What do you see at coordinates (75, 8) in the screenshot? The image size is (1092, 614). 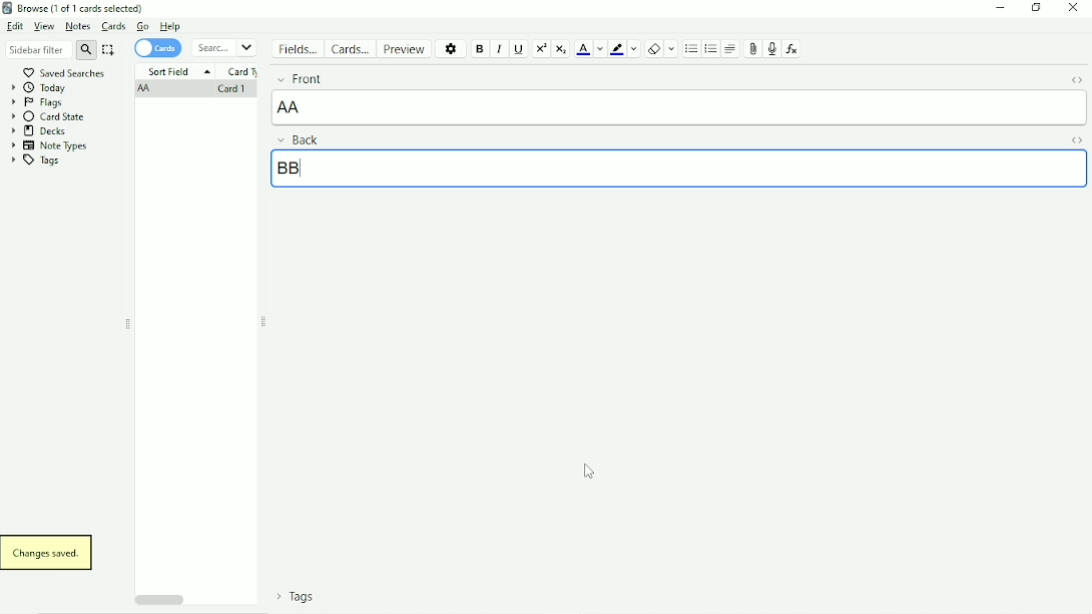 I see `Browse (1 of 1 cards selected)` at bounding box center [75, 8].